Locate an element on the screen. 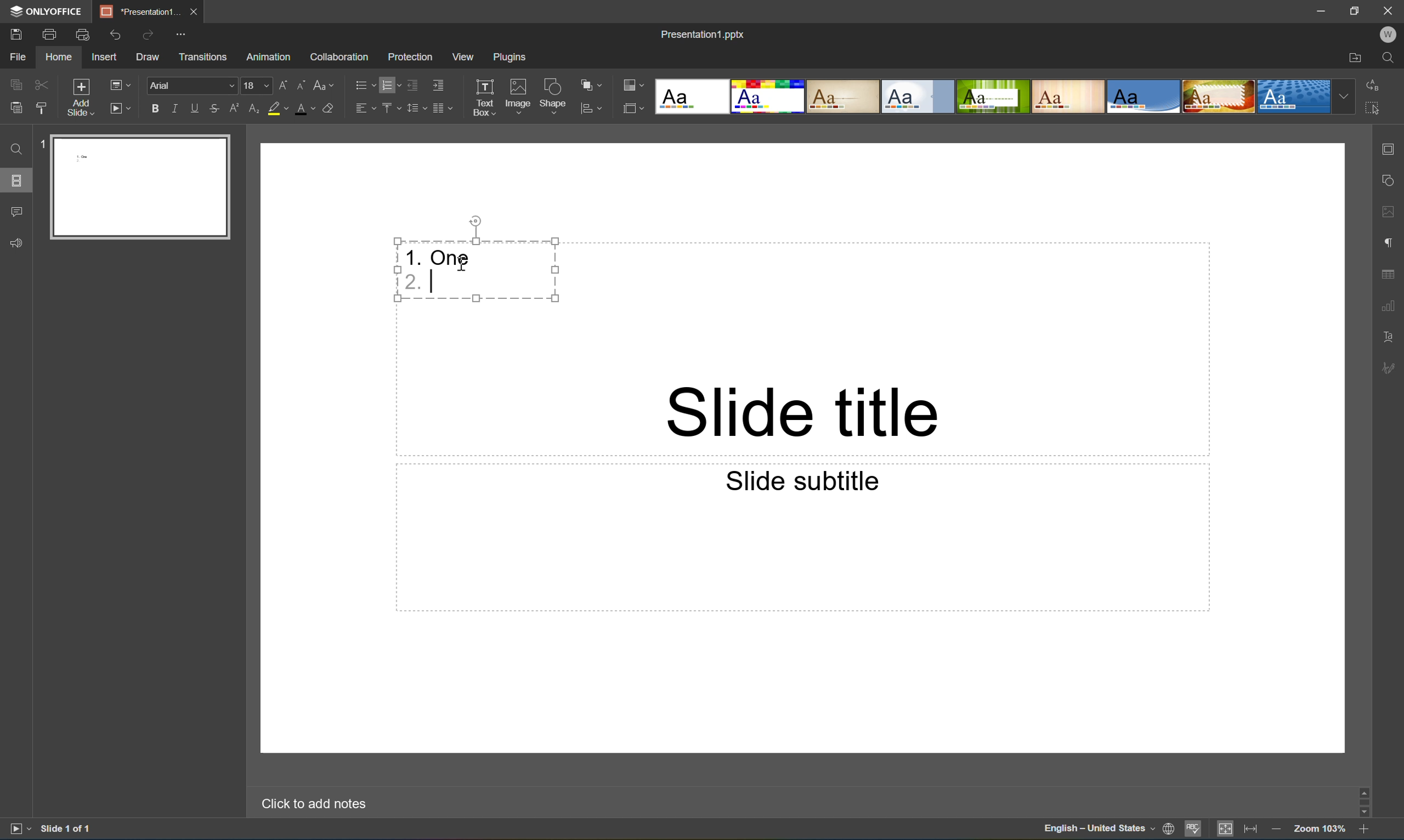  Numebring is located at coordinates (392, 84).